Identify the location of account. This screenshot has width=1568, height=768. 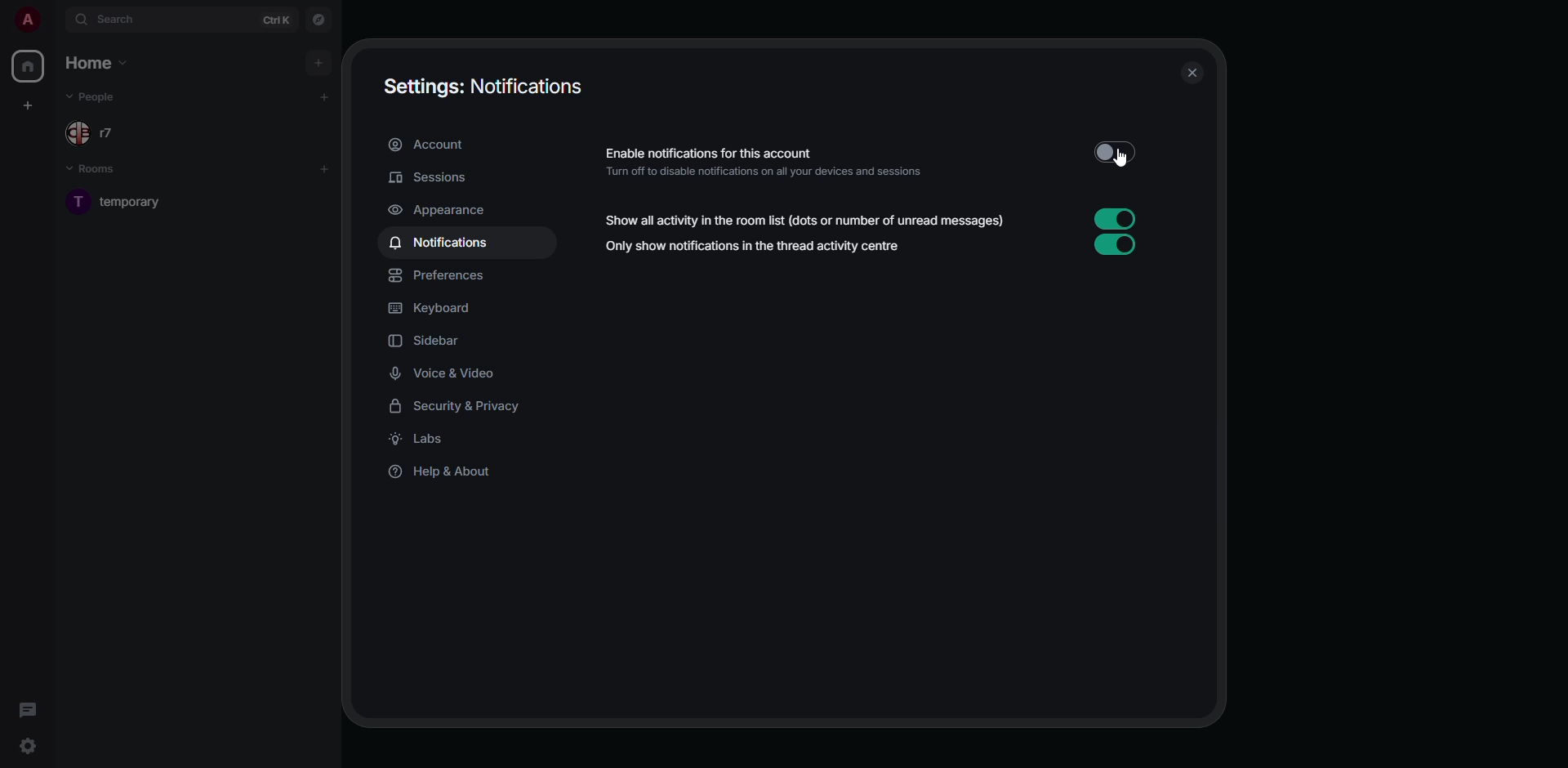
(434, 145).